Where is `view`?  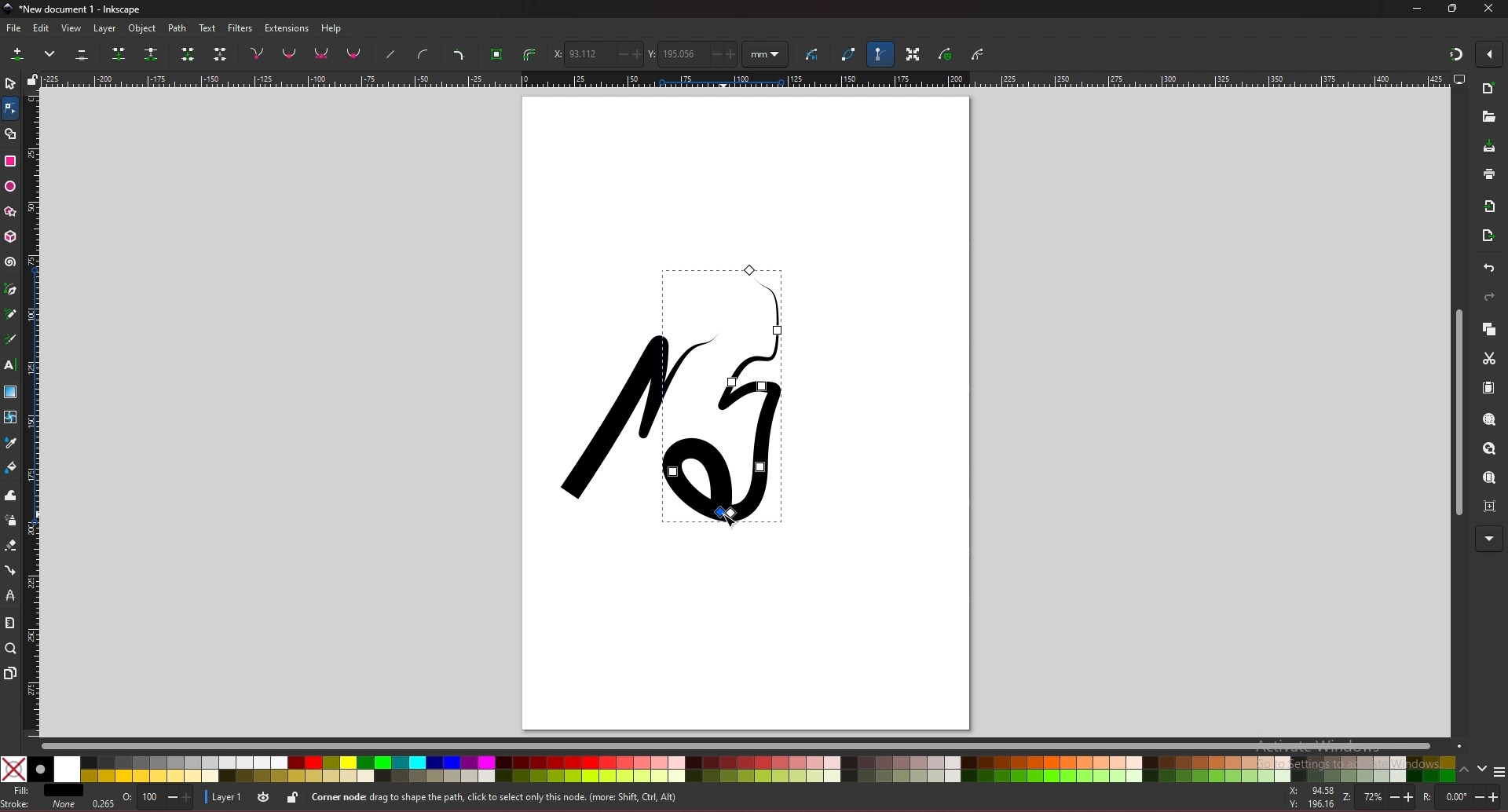
view is located at coordinates (71, 28).